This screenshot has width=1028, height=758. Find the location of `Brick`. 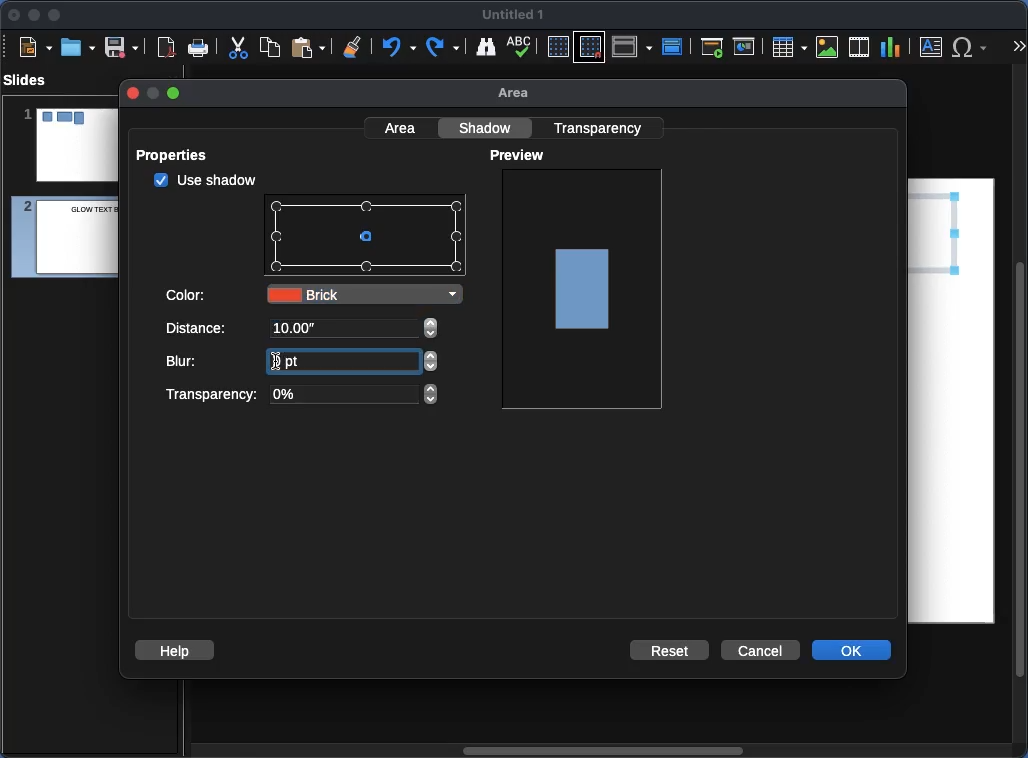

Brick is located at coordinates (364, 294).